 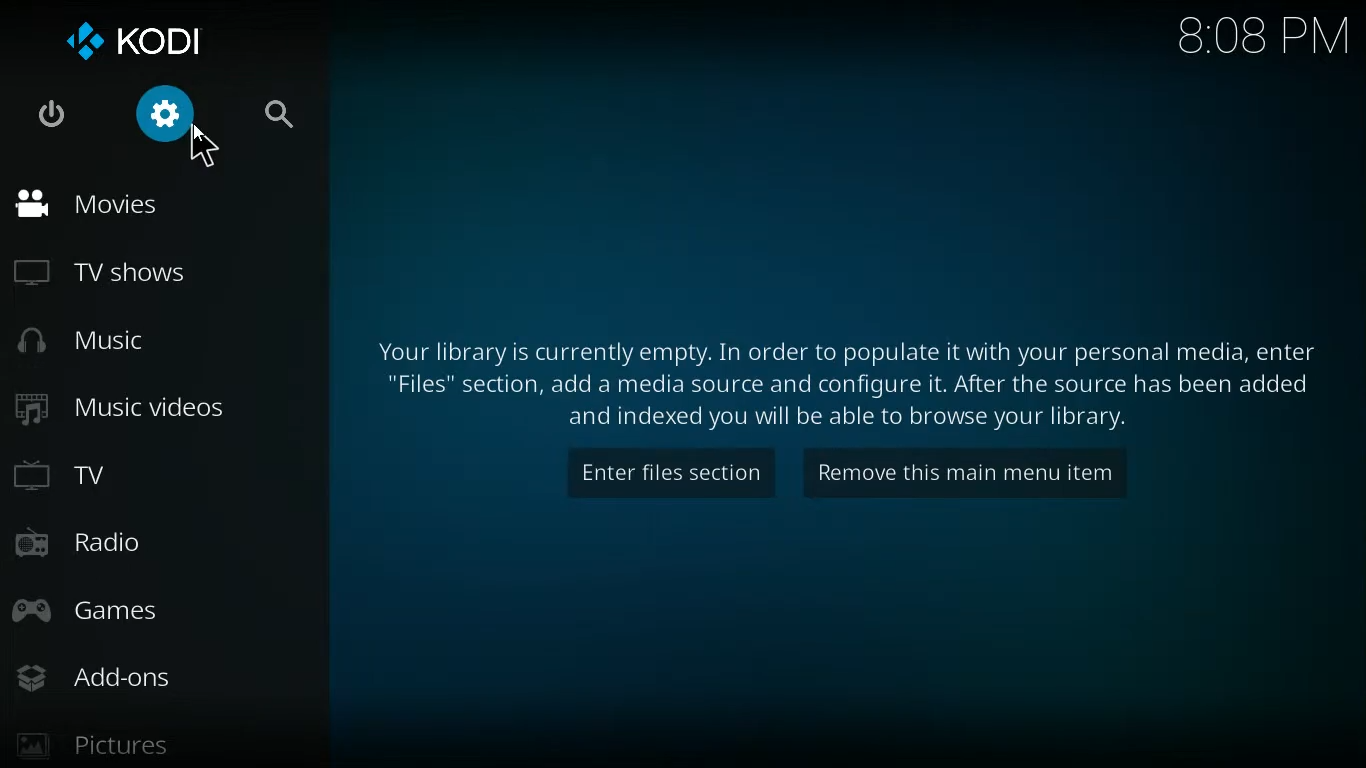 I want to click on settings, so click(x=163, y=127).